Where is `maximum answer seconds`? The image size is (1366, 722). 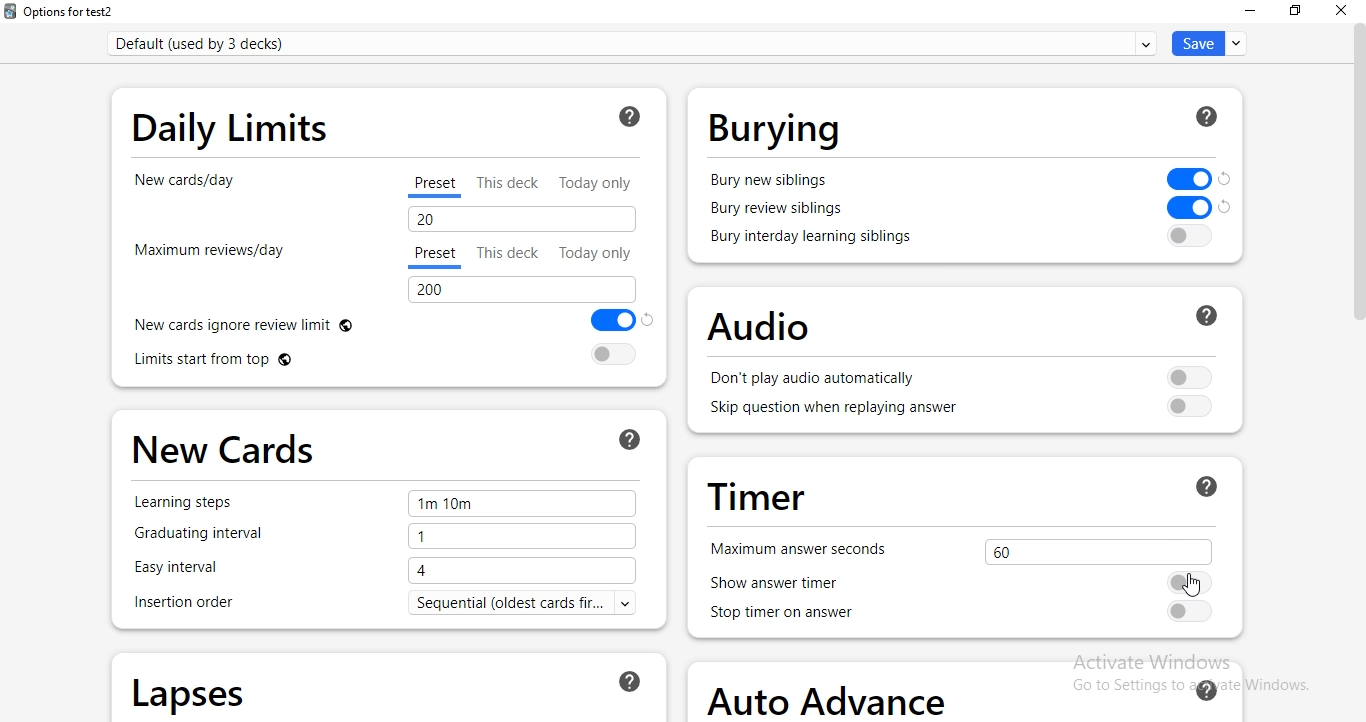 maximum answer seconds is located at coordinates (808, 550).